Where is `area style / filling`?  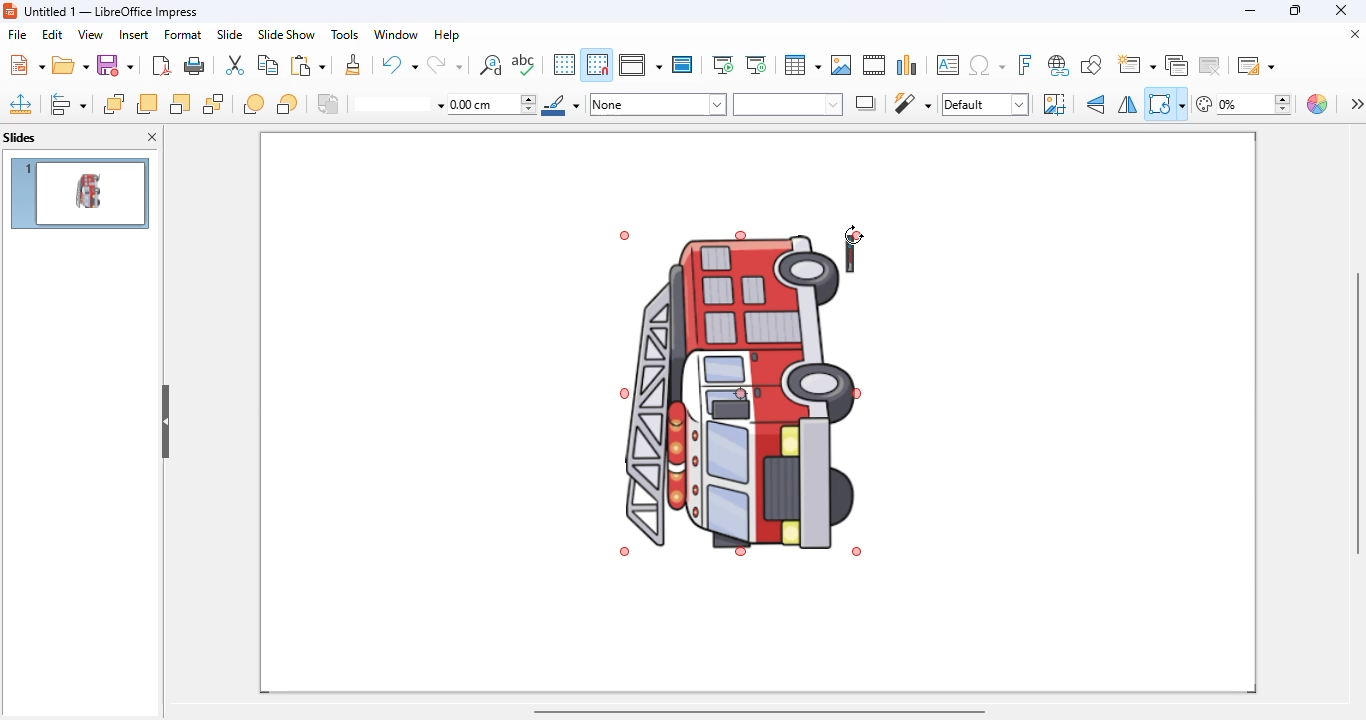
area style / filling is located at coordinates (788, 104).